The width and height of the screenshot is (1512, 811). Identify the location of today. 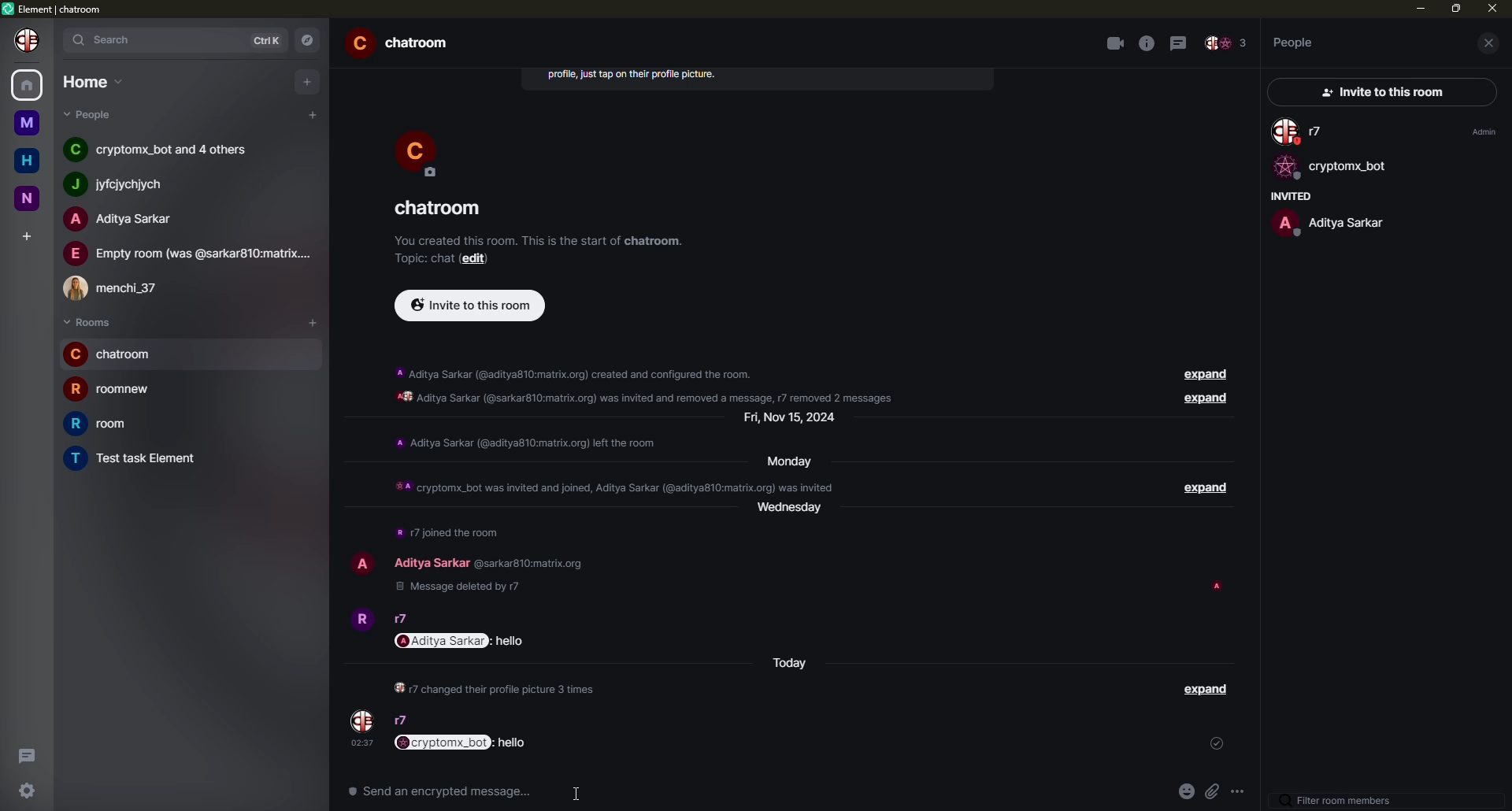
(791, 657).